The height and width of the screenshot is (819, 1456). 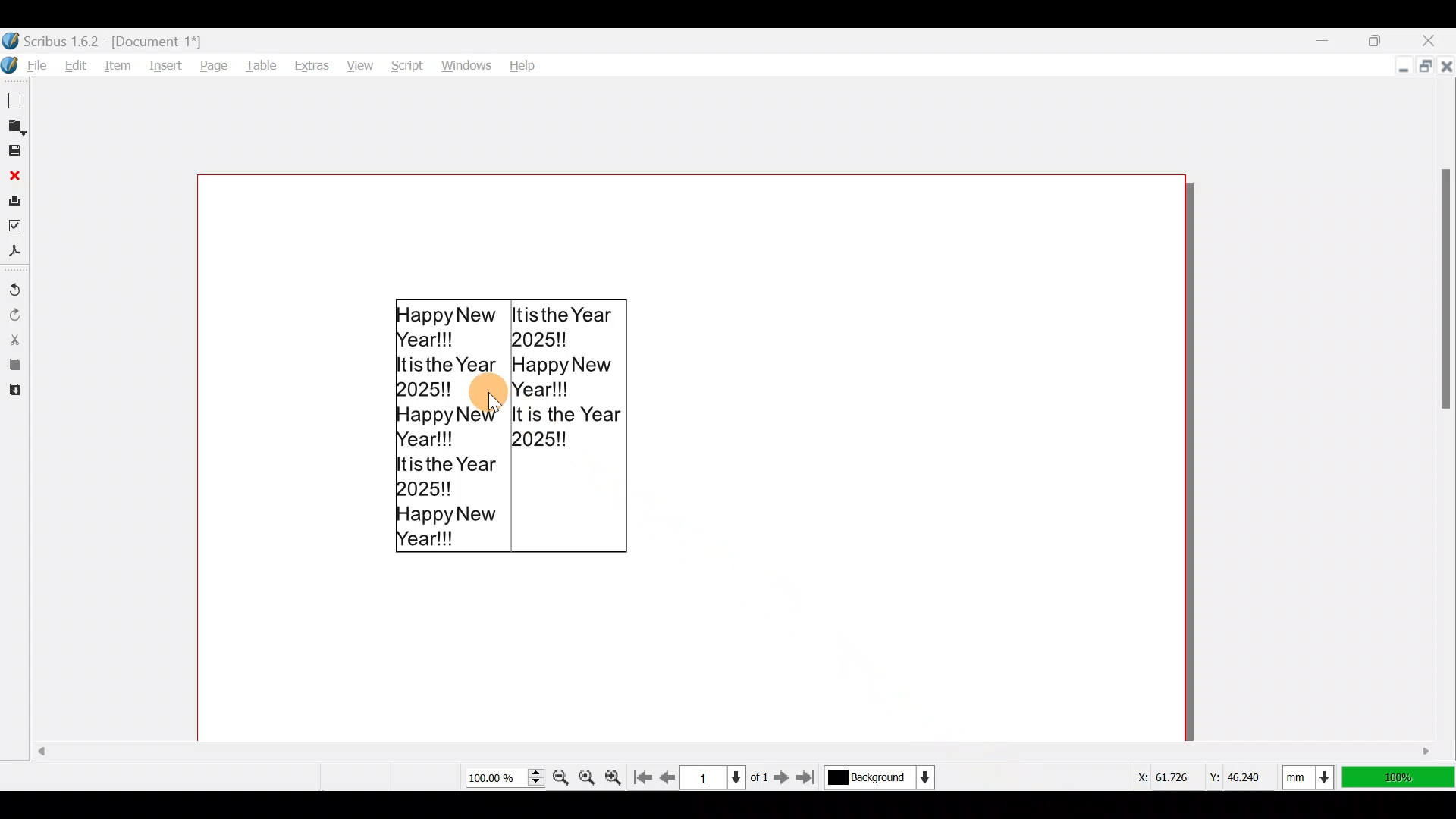 I want to click on View, so click(x=358, y=62).